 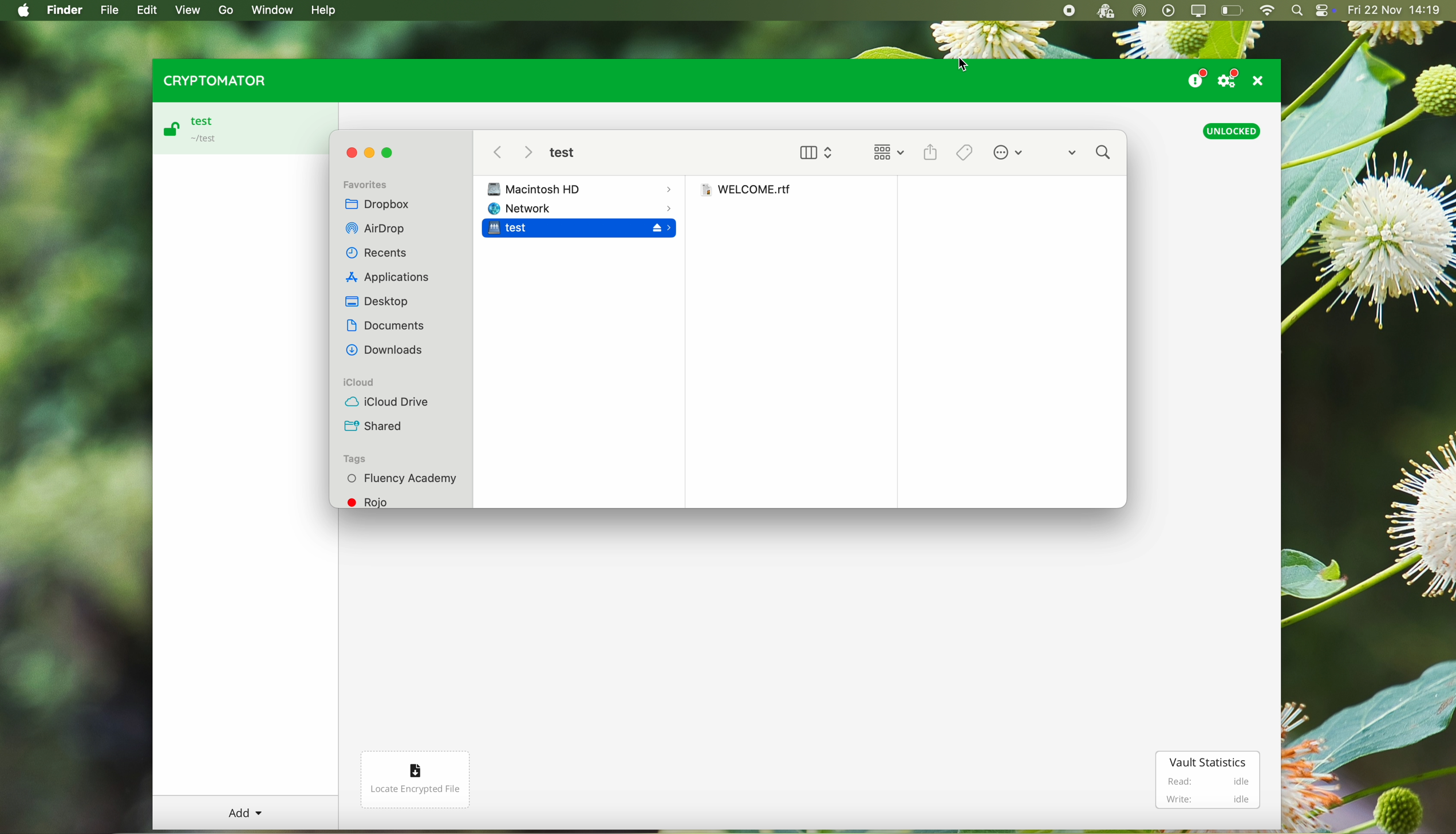 What do you see at coordinates (378, 254) in the screenshot?
I see `recents` at bounding box center [378, 254].